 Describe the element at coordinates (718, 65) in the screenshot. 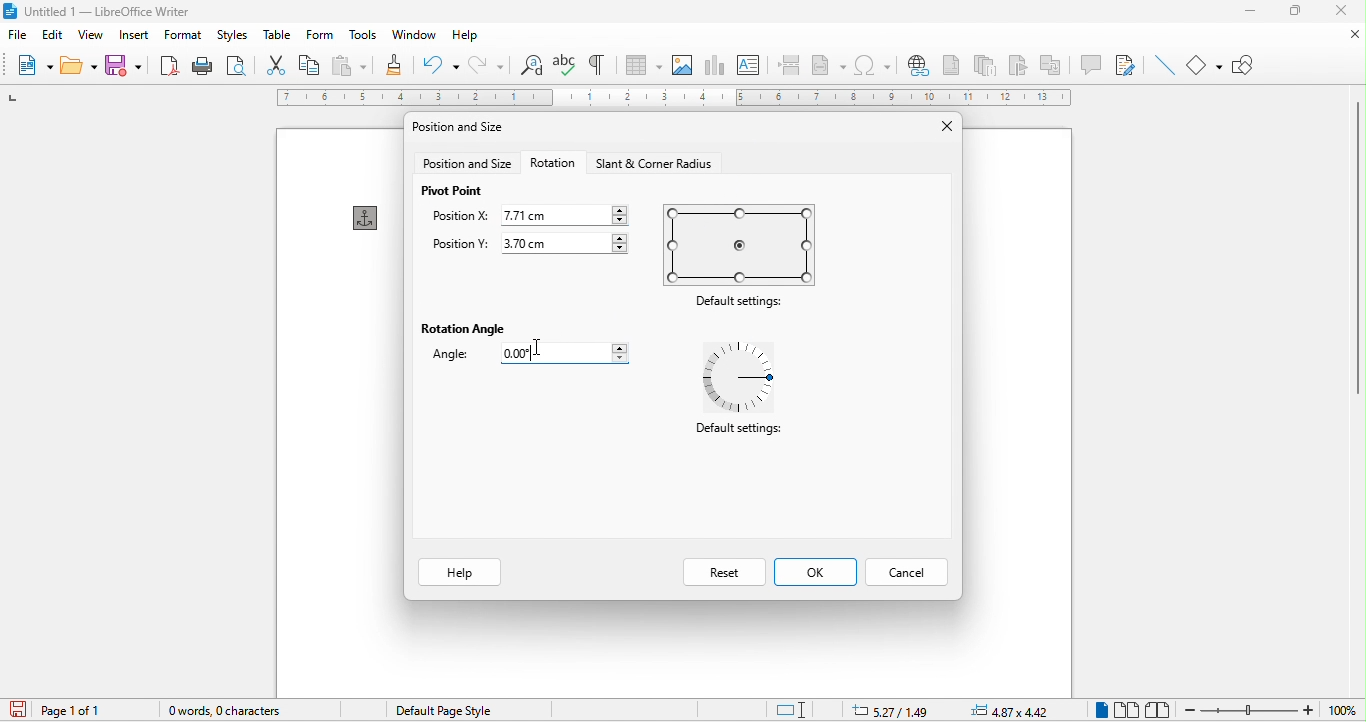

I see `chart` at that location.